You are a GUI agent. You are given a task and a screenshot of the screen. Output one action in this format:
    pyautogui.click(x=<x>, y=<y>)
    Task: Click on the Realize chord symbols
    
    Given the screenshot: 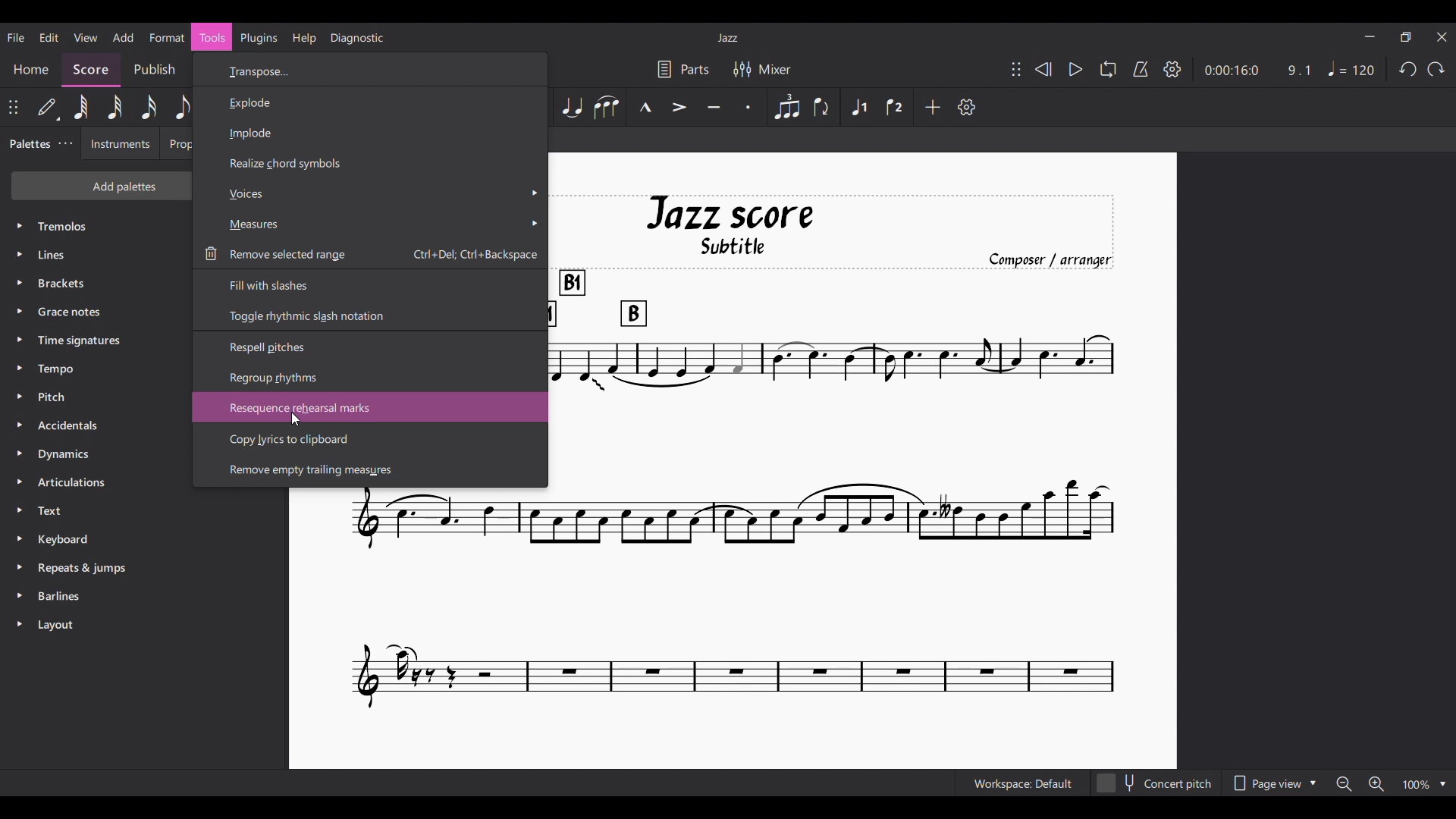 What is the action you would take?
    pyautogui.click(x=372, y=163)
    